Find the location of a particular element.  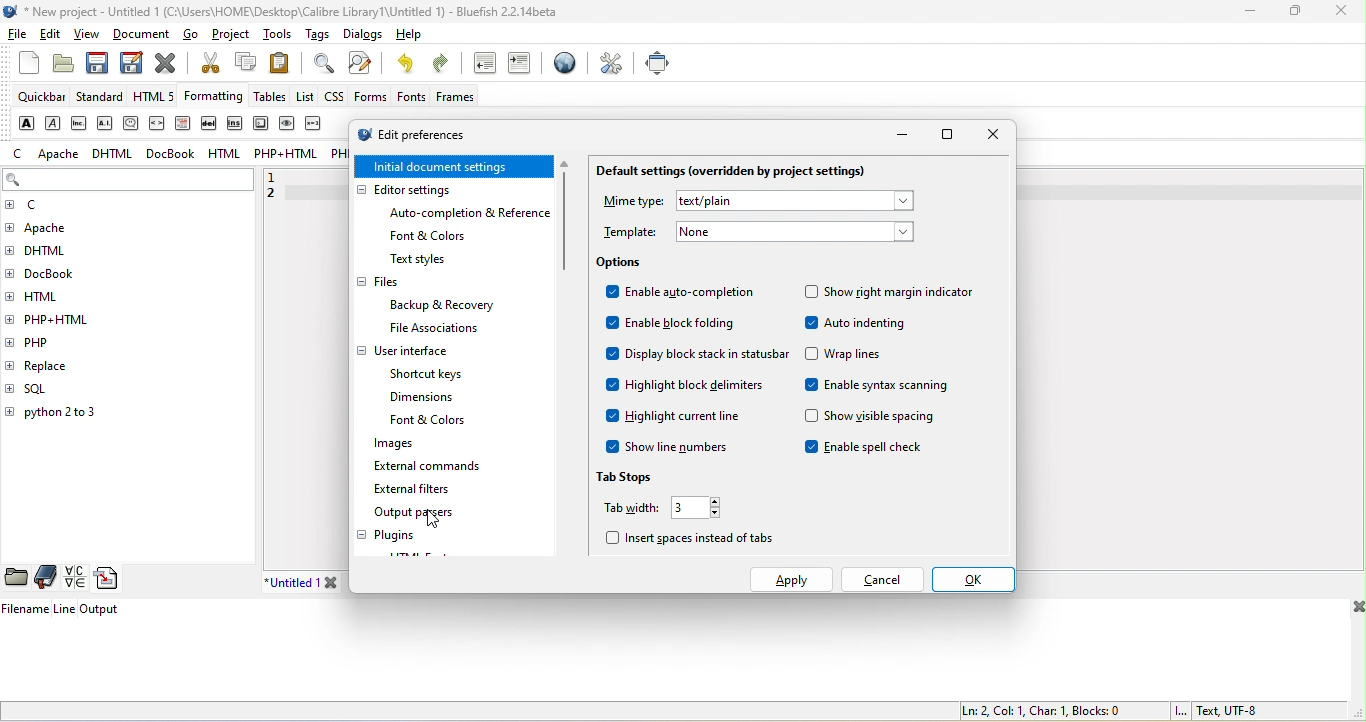

user interface is located at coordinates (405, 352).